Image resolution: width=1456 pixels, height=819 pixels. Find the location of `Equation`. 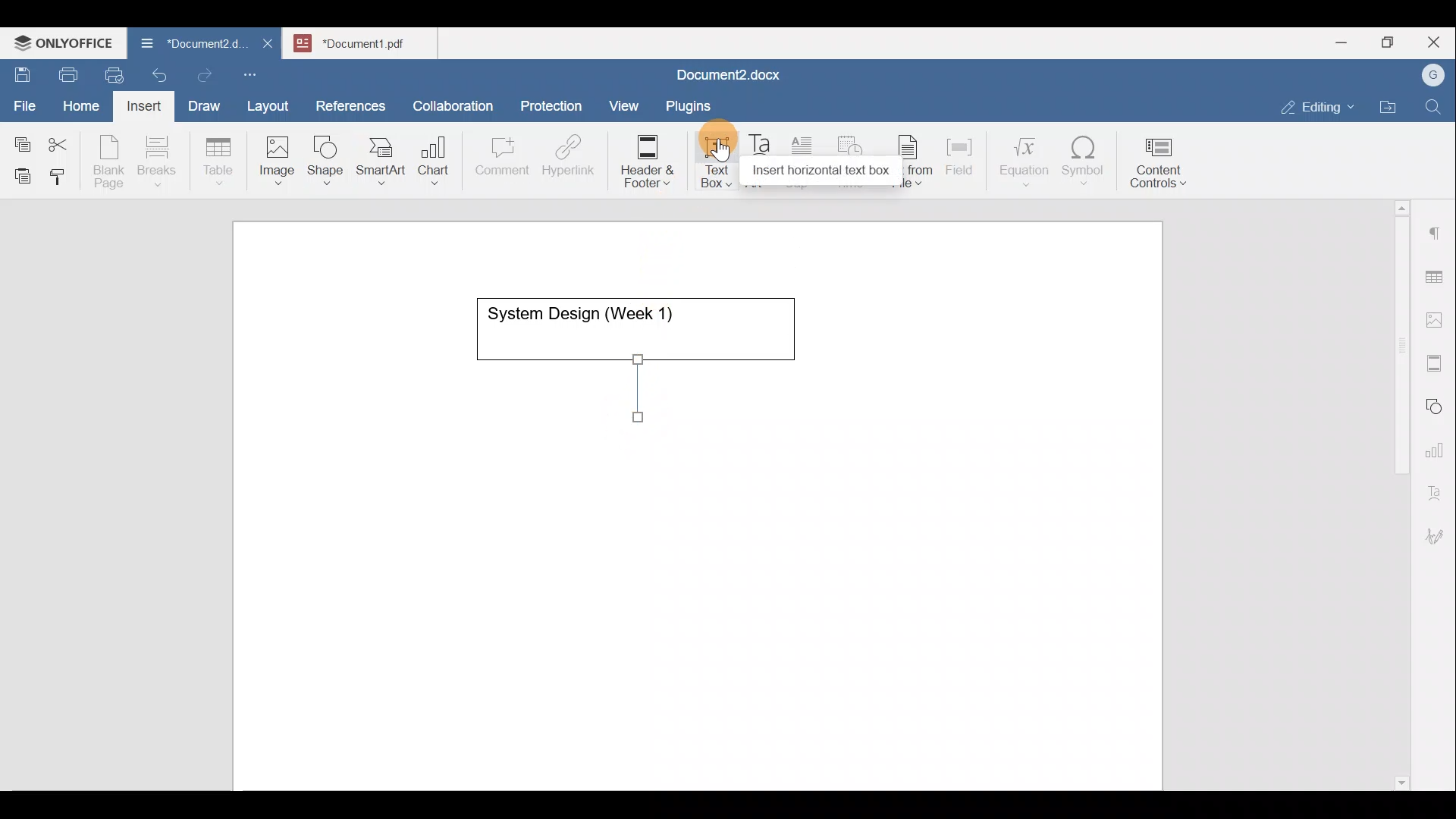

Equation is located at coordinates (1028, 161).